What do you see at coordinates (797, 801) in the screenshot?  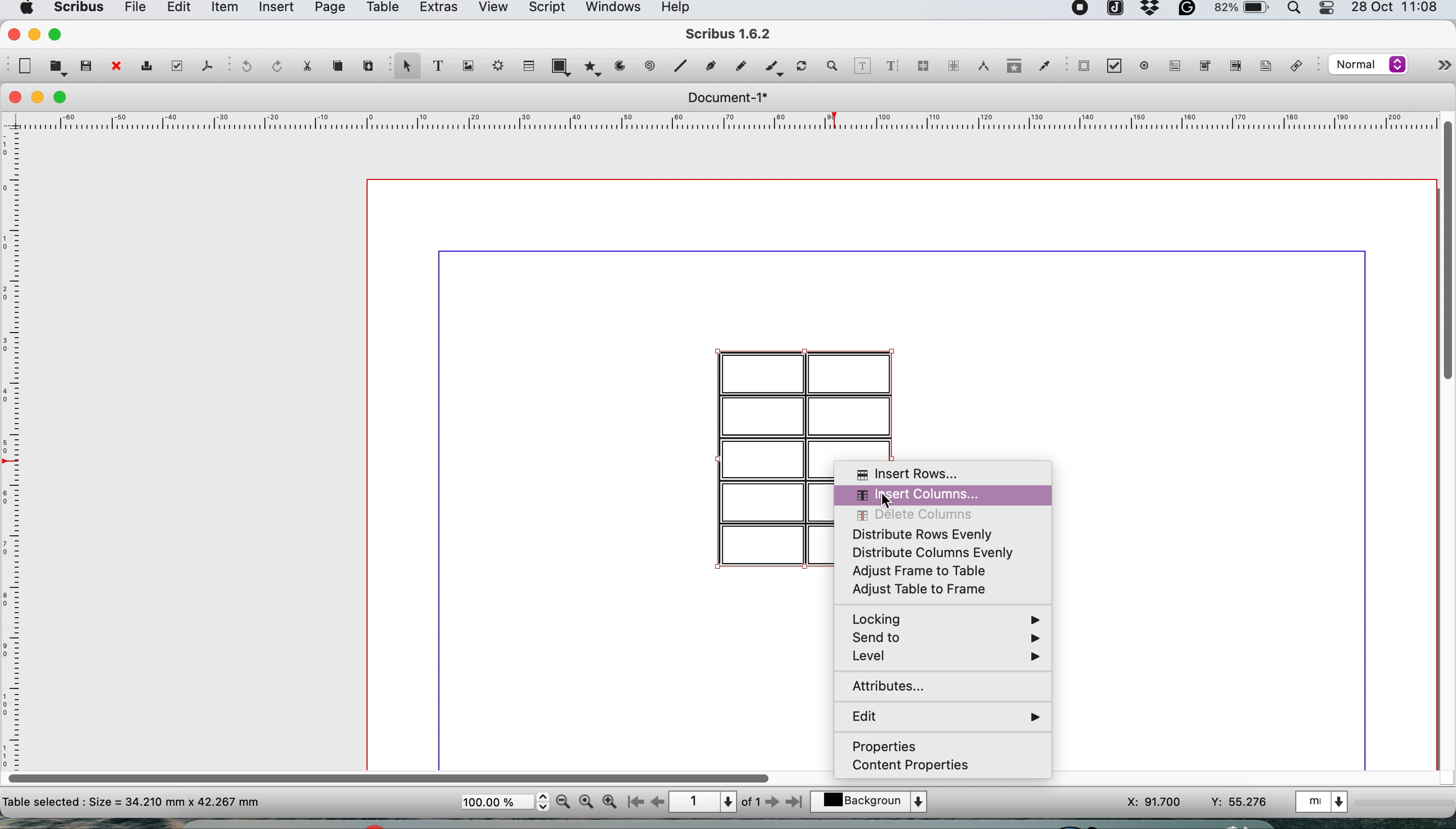 I see `go to last page` at bounding box center [797, 801].